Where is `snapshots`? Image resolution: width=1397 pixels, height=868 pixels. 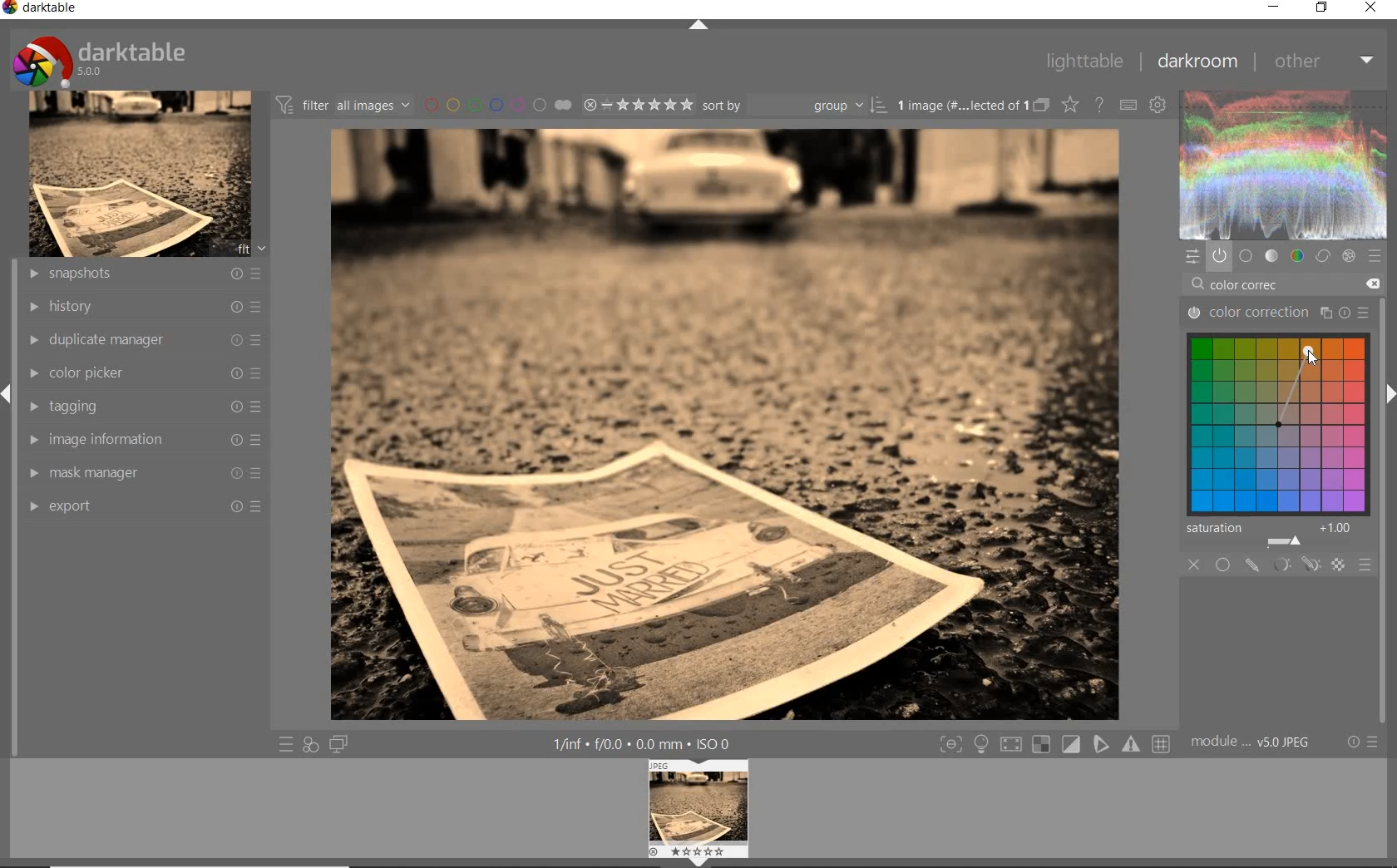 snapshots is located at coordinates (142, 275).